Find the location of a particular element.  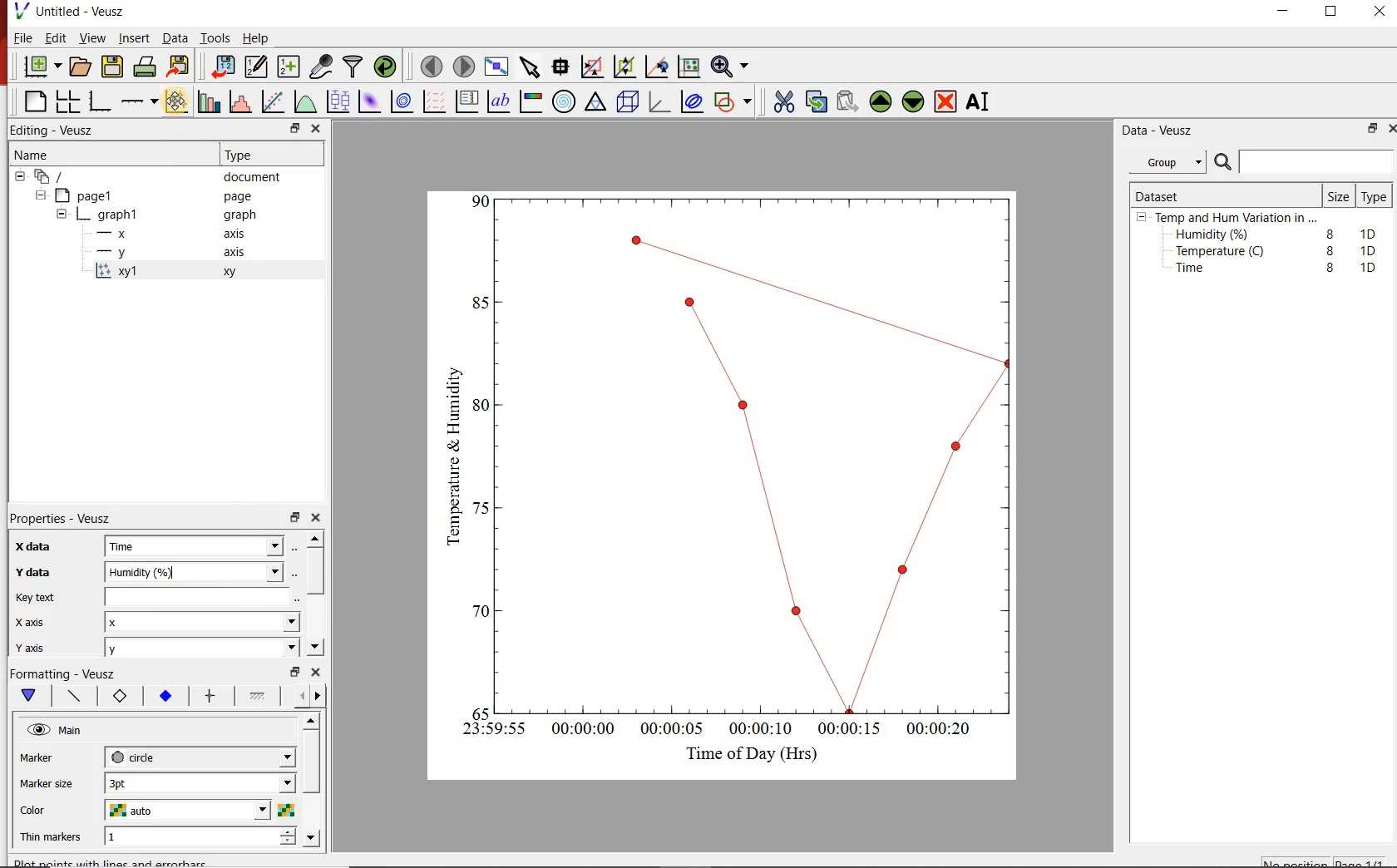

3d scene is located at coordinates (629, 104).